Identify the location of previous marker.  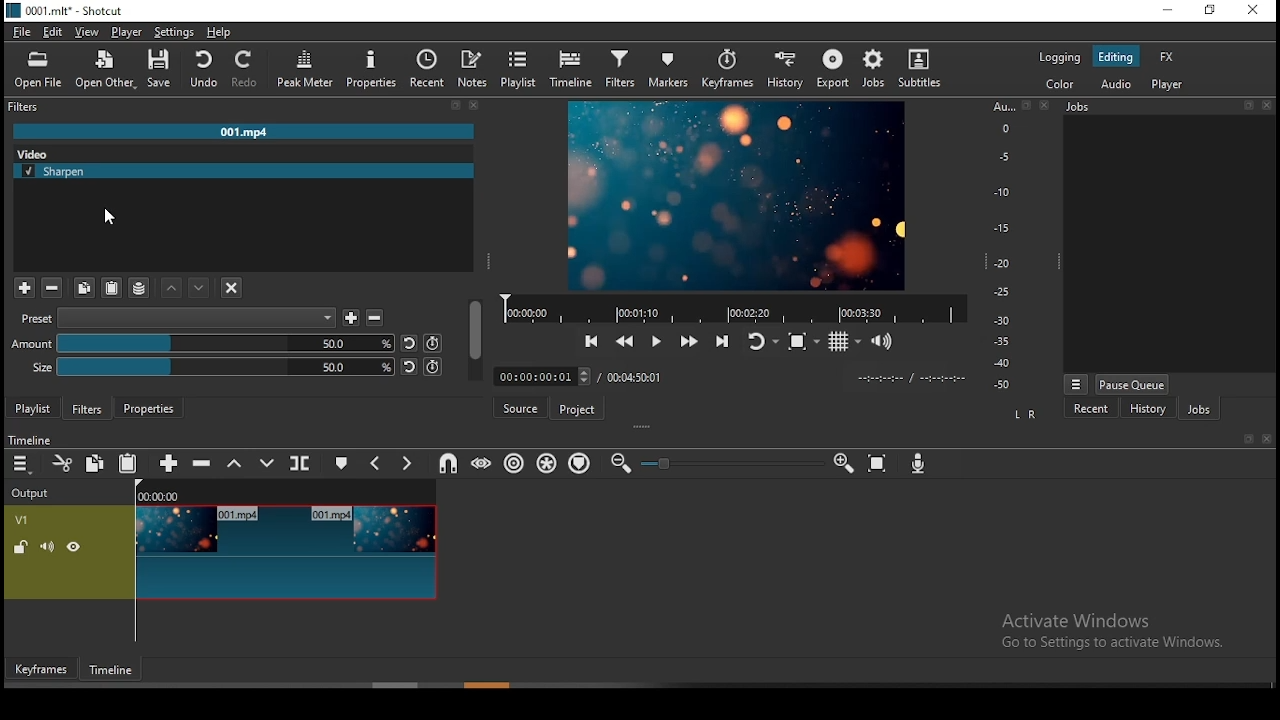
(375, 461).